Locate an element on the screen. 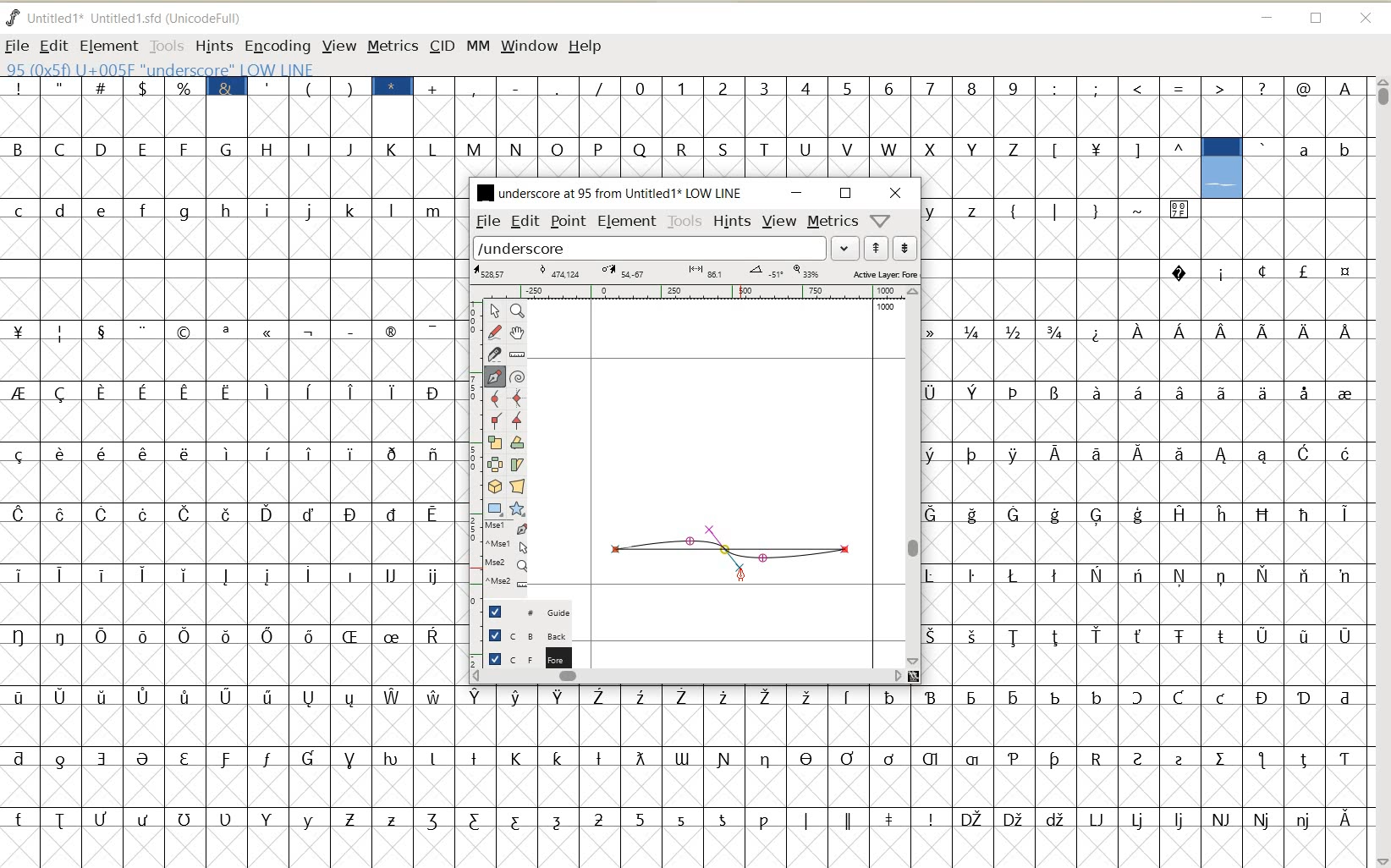  RESTORE is located at coordinates (846, 194).